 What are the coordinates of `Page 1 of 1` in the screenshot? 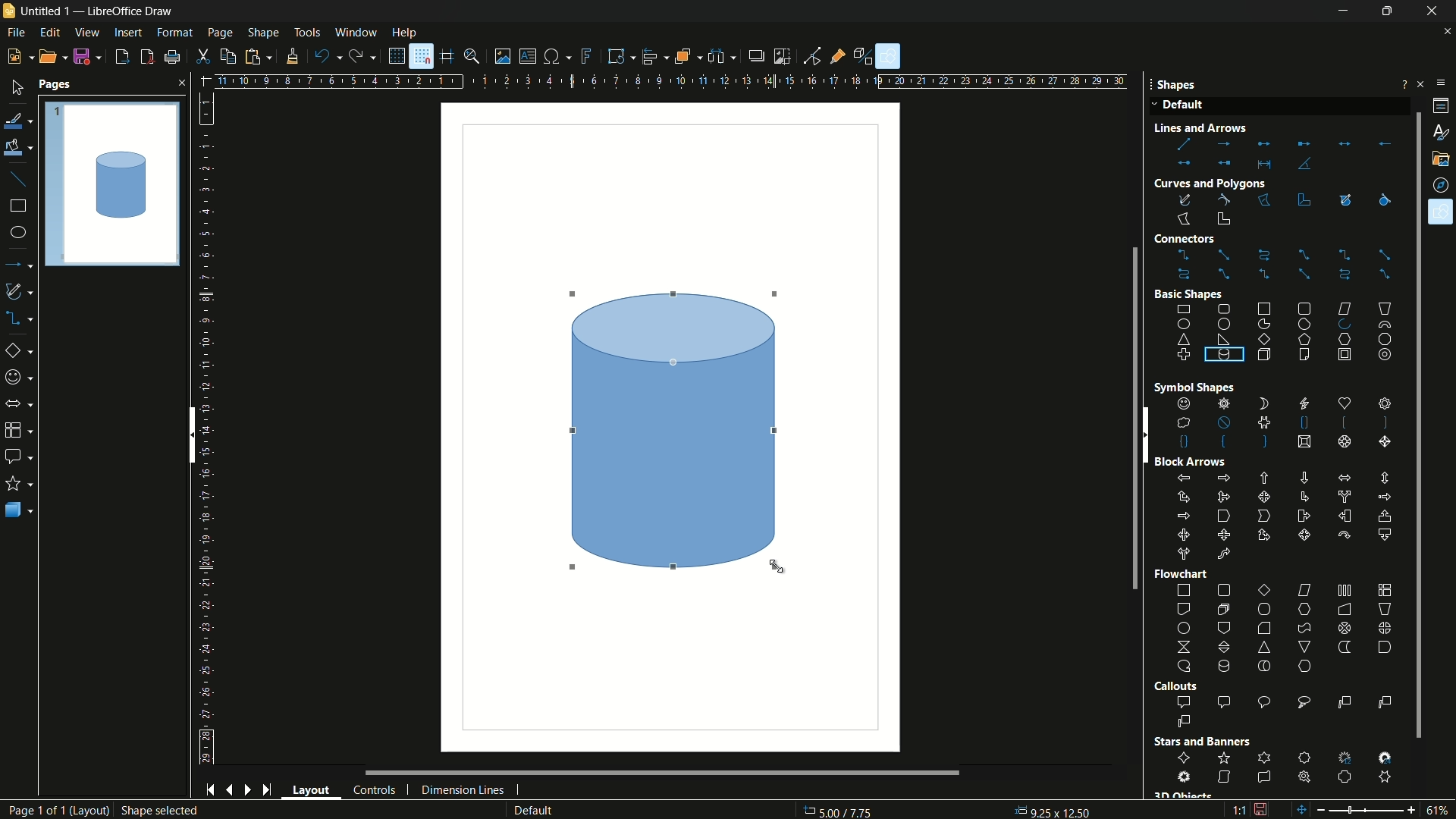 It's located at (45, 810).